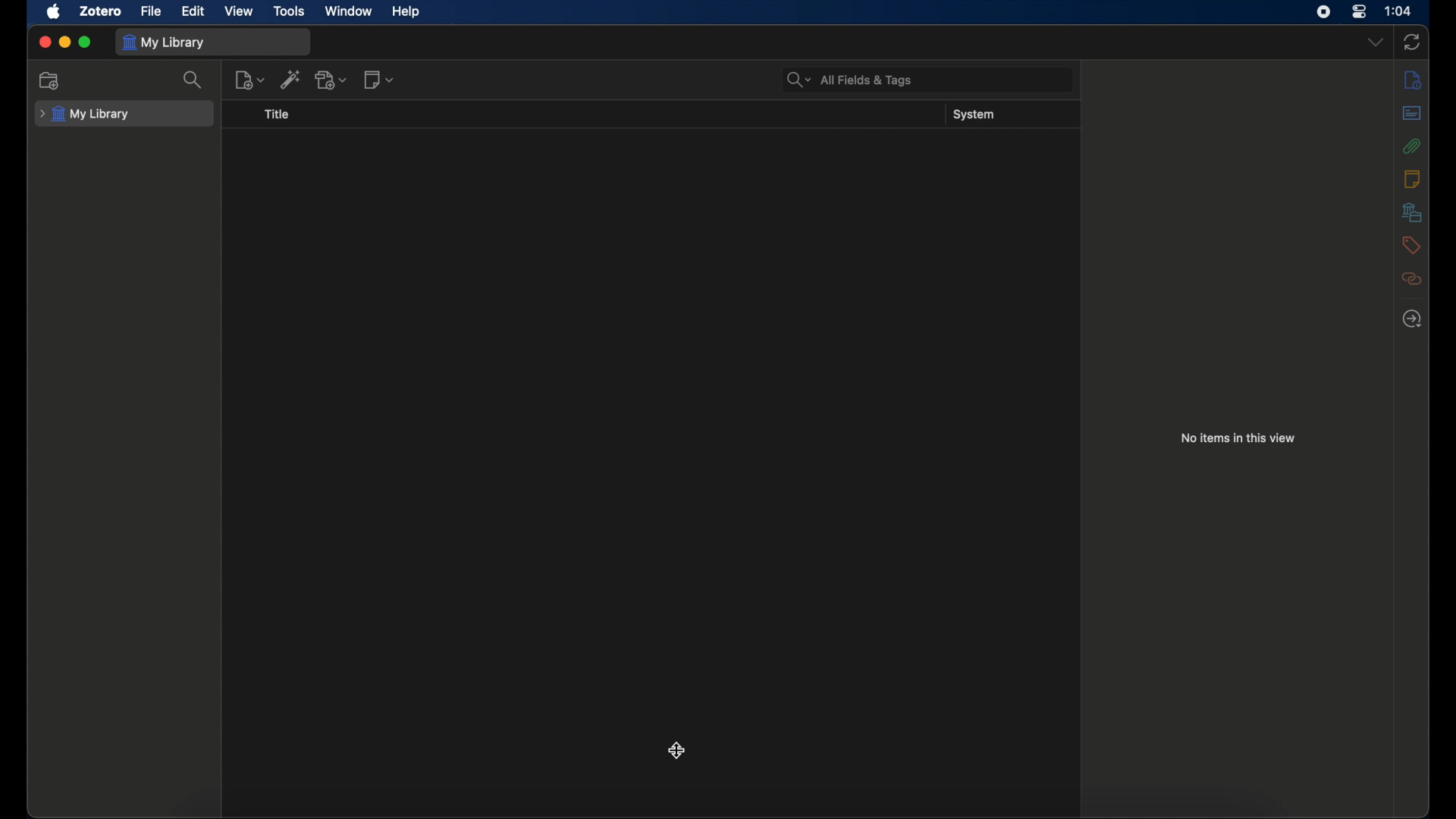 The image size is (1456, 819). I want to click on title, so click(276, 115).